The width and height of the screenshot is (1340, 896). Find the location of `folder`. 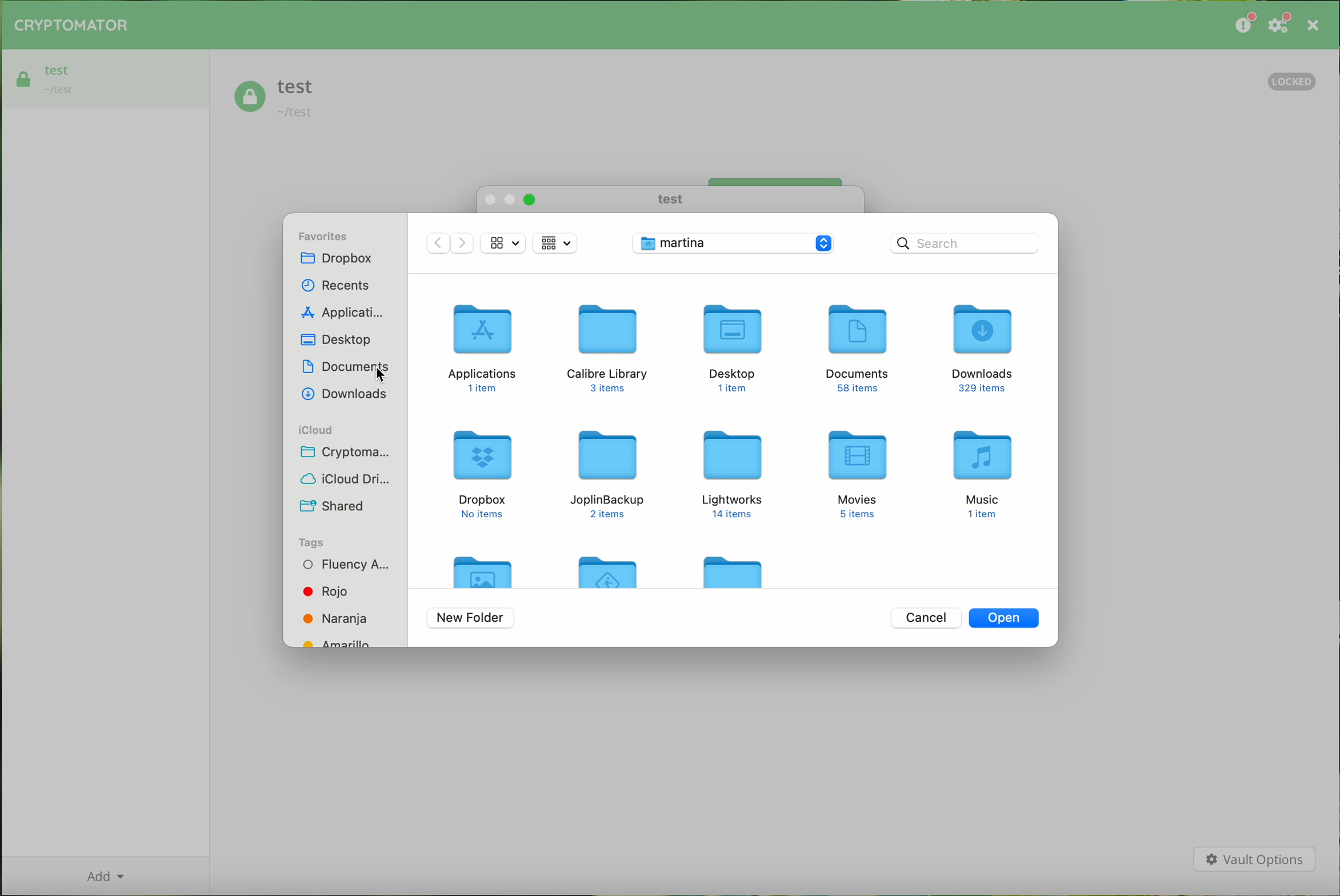

folder is located at coordinates (611, 569).